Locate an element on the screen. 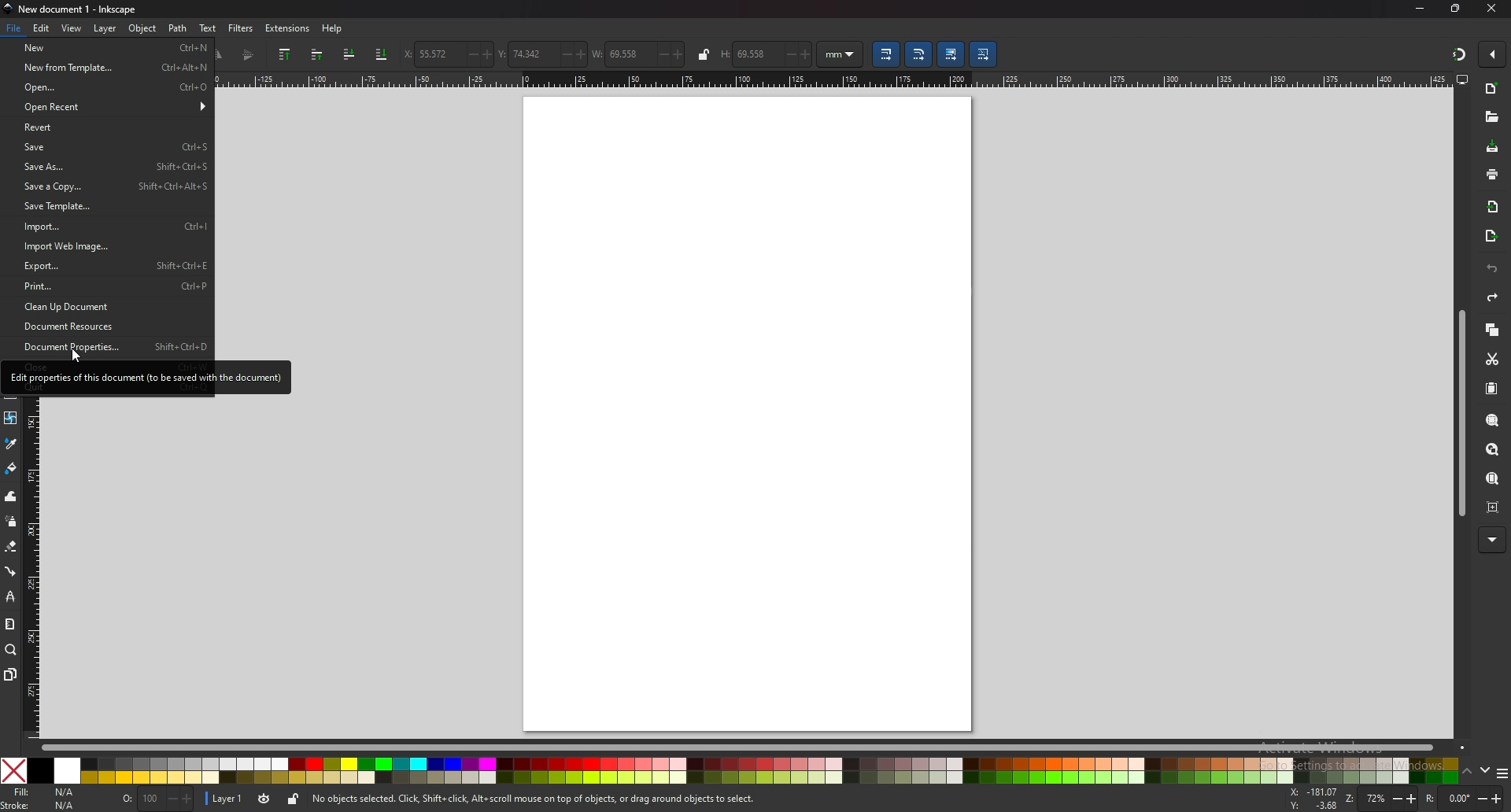 The width and height of the screenshot is (1511, 812). raise selection to top is located at coordinates (285, 54).